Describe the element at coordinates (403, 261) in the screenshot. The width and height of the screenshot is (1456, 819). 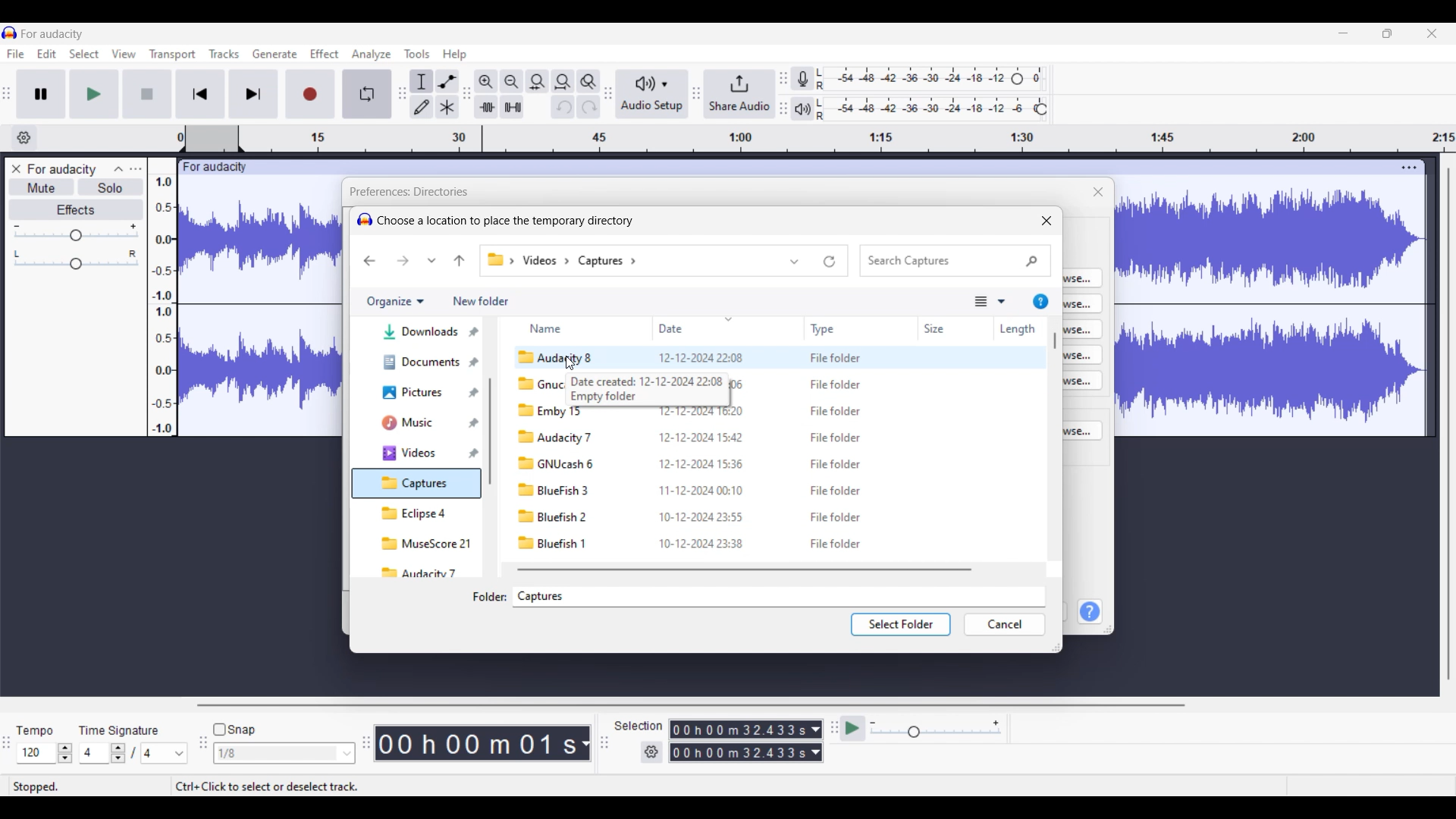
I see `Go forward` at that location.